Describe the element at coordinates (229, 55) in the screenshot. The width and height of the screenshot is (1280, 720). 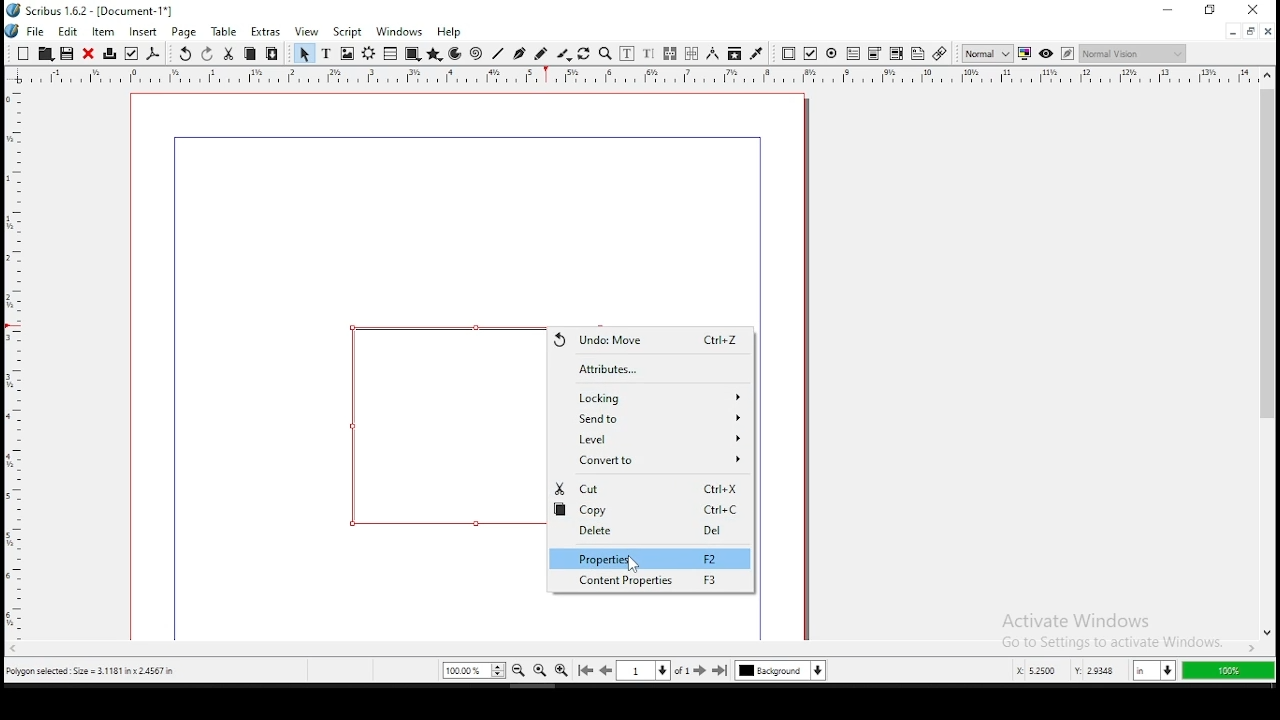
I see `cut` at that location.